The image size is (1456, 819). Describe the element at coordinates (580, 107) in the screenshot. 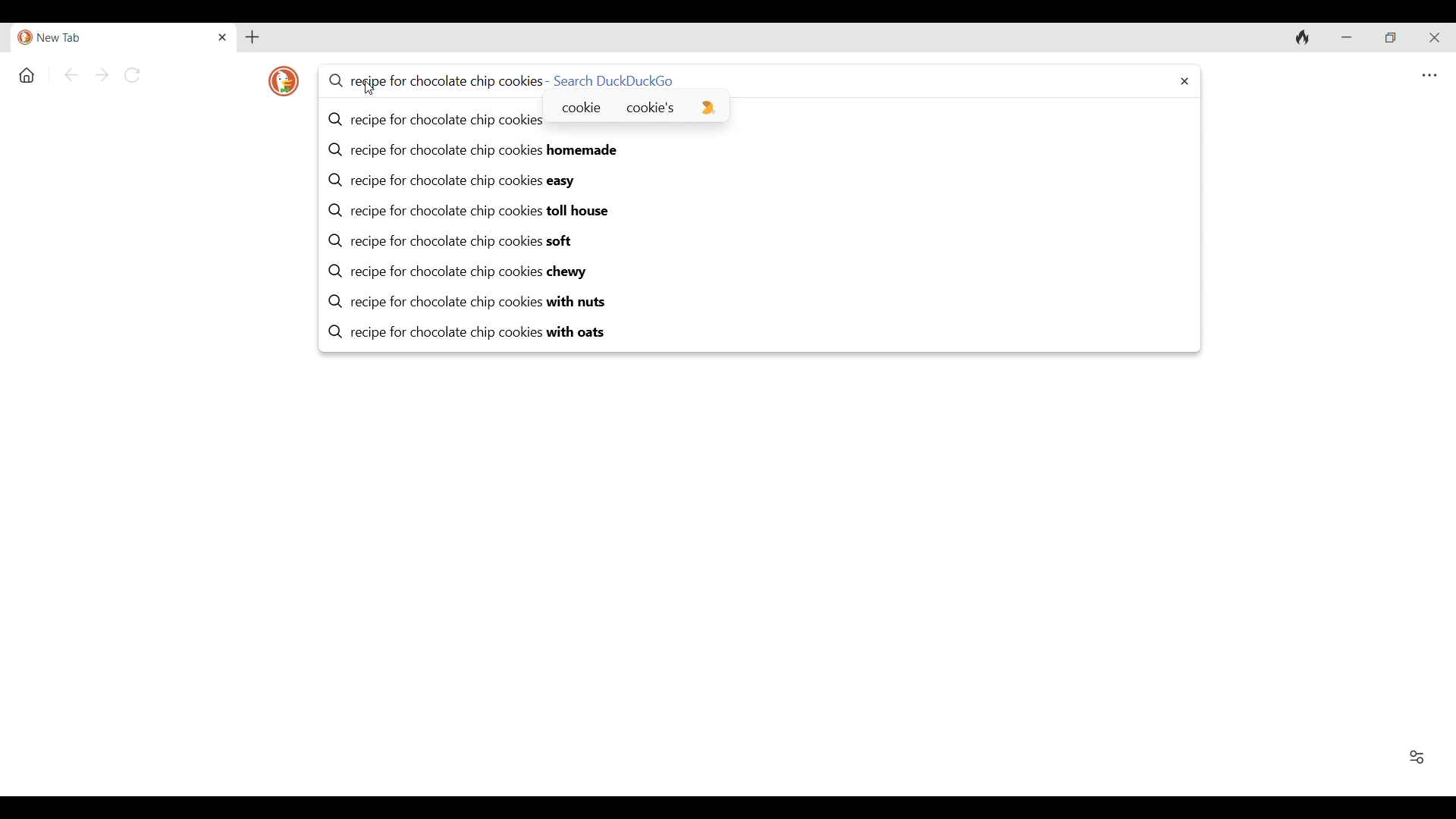

I see `cookie` at that location.